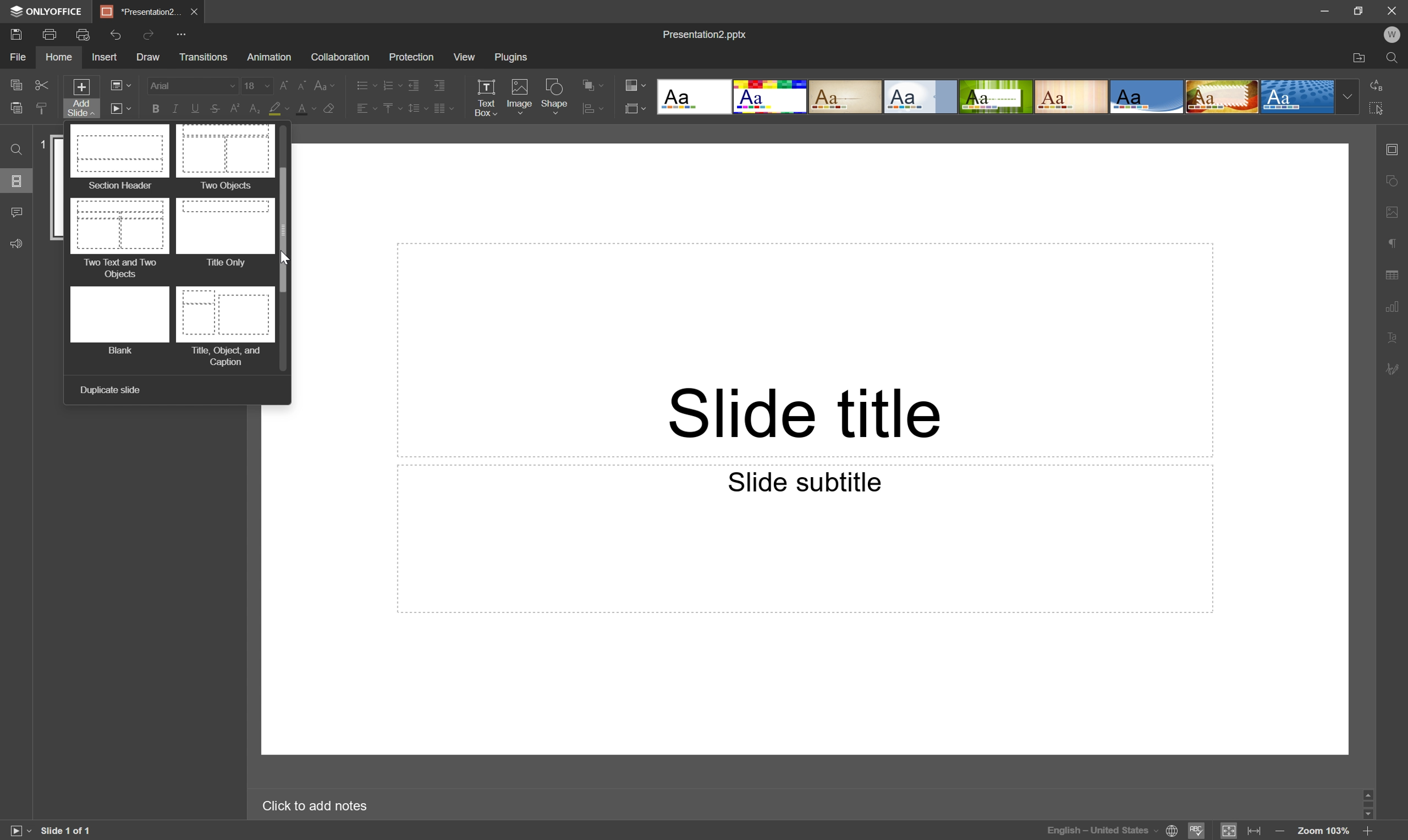 The width and height of the screenshot is (1408, 840). What do you see at coordinates (1198, 830) in the screenshot?
I see `Spell checking` at bounding box center [1198, 830].